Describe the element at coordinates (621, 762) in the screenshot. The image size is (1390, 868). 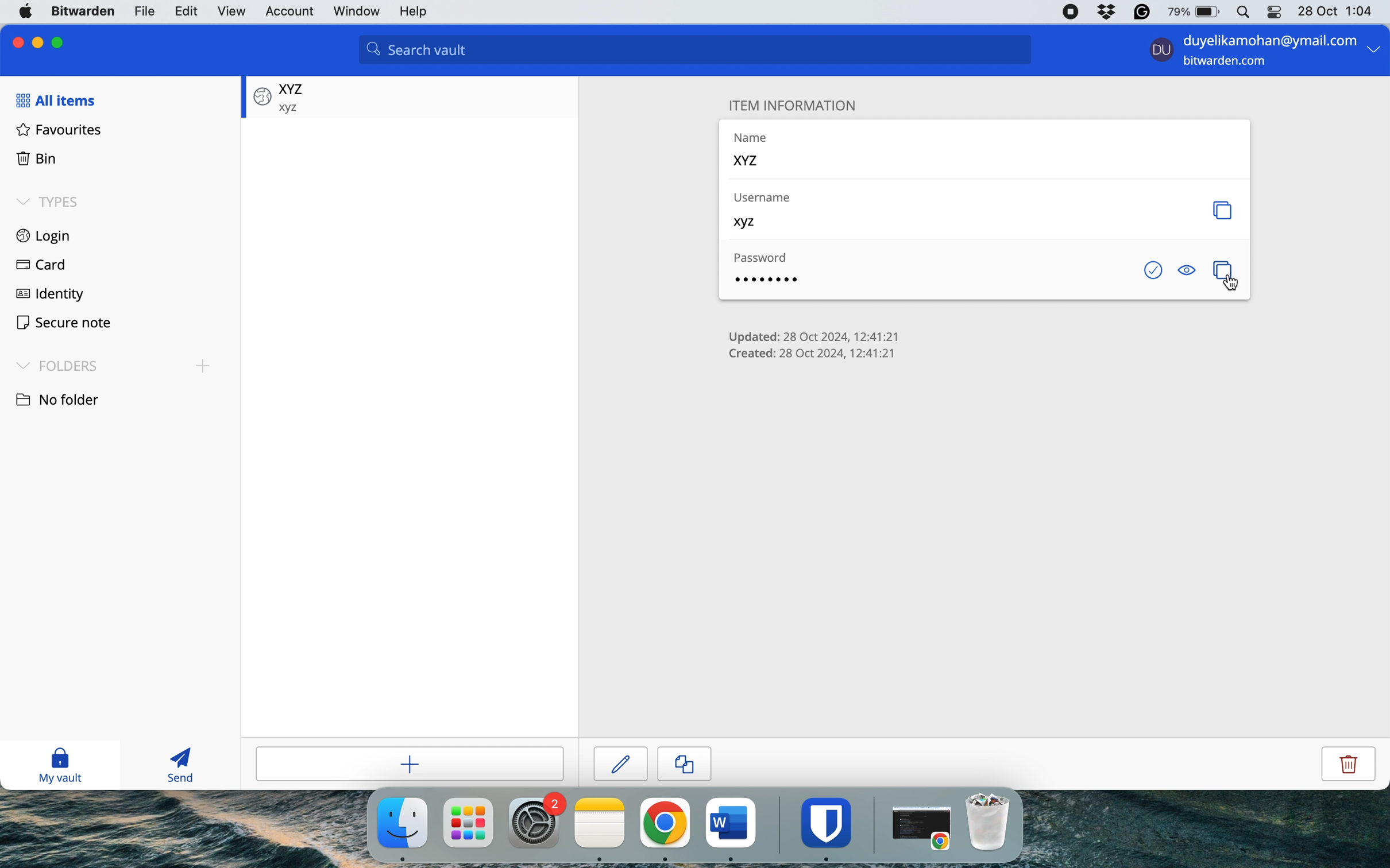
I see `edit` at that location.